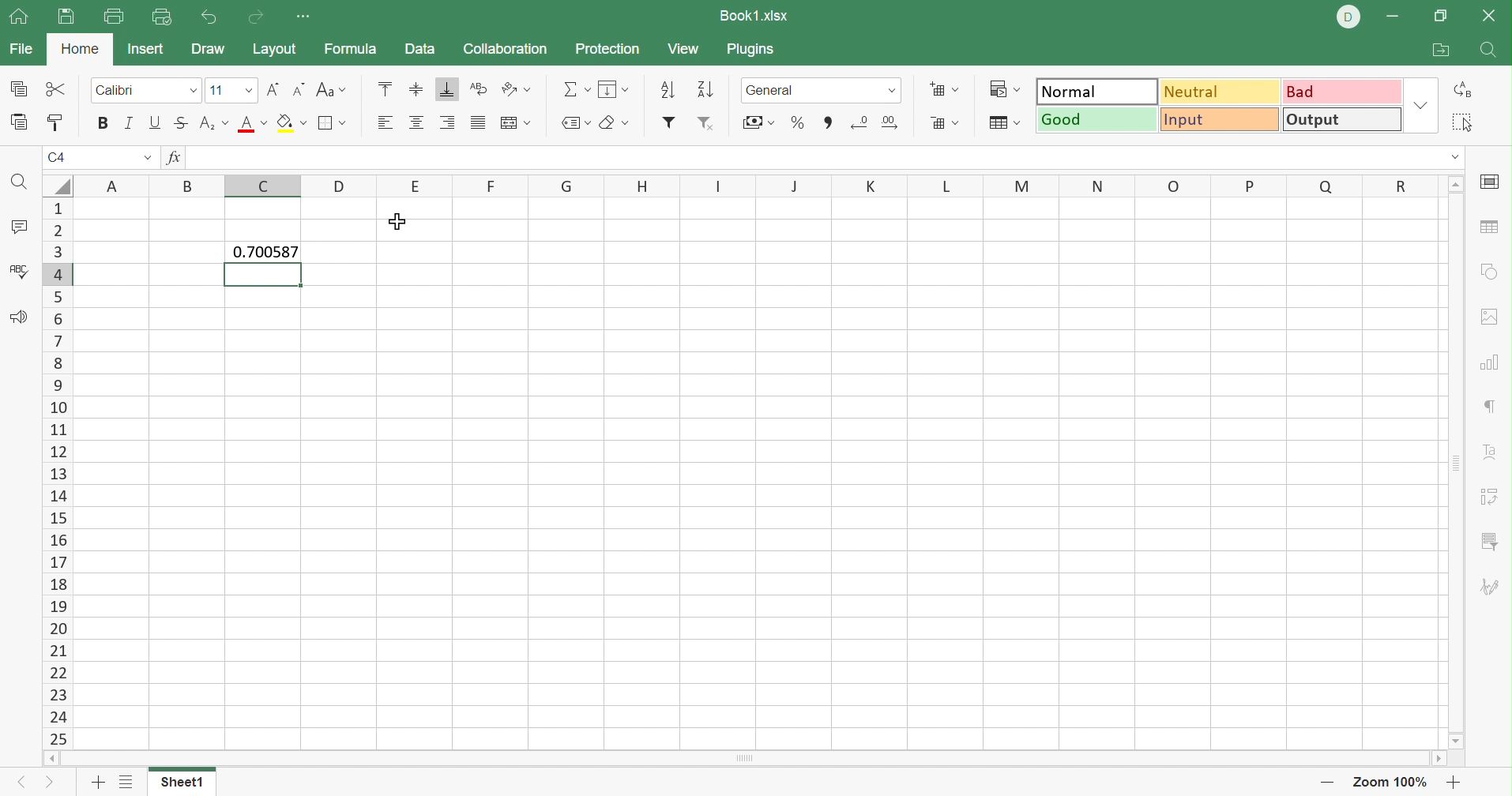 The width and height of the screenshot is (1512, 796). Describe the element at coordinates (705, 89) in the screenshot. I see `Sort descending` at that location.